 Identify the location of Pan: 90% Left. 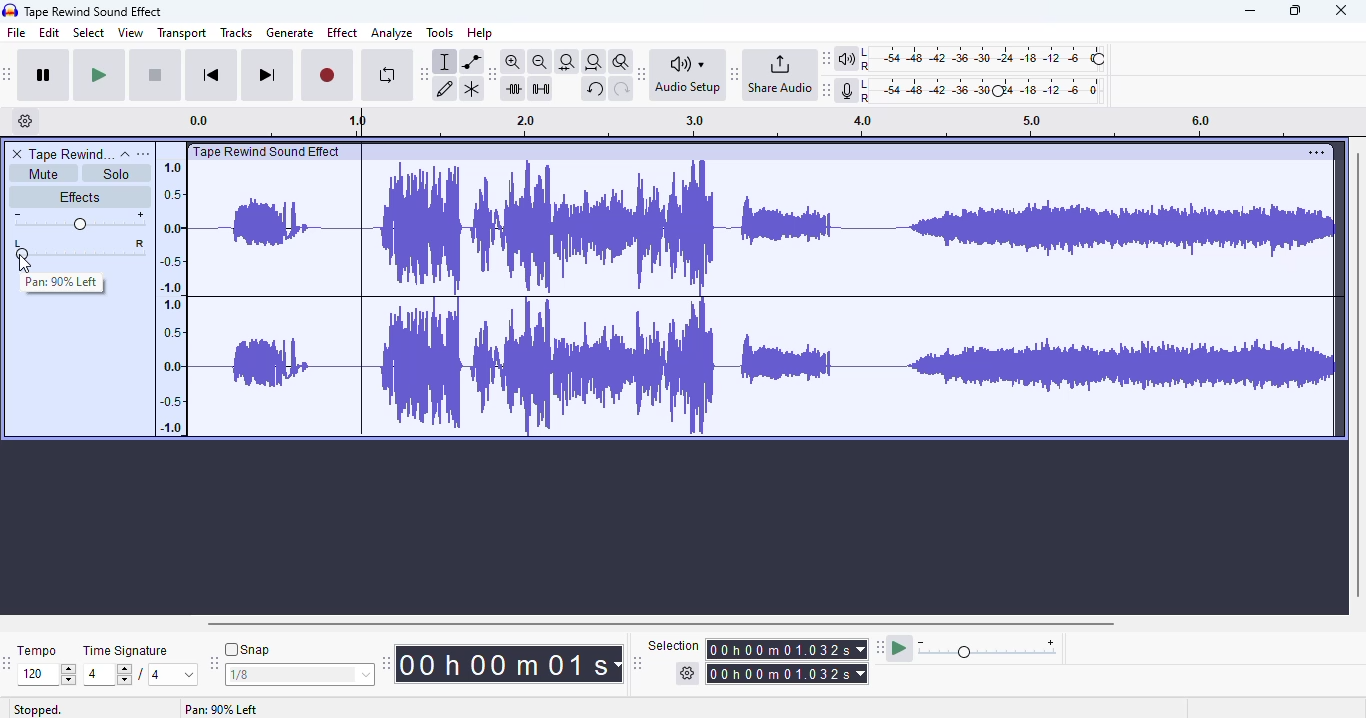
(64, 285).